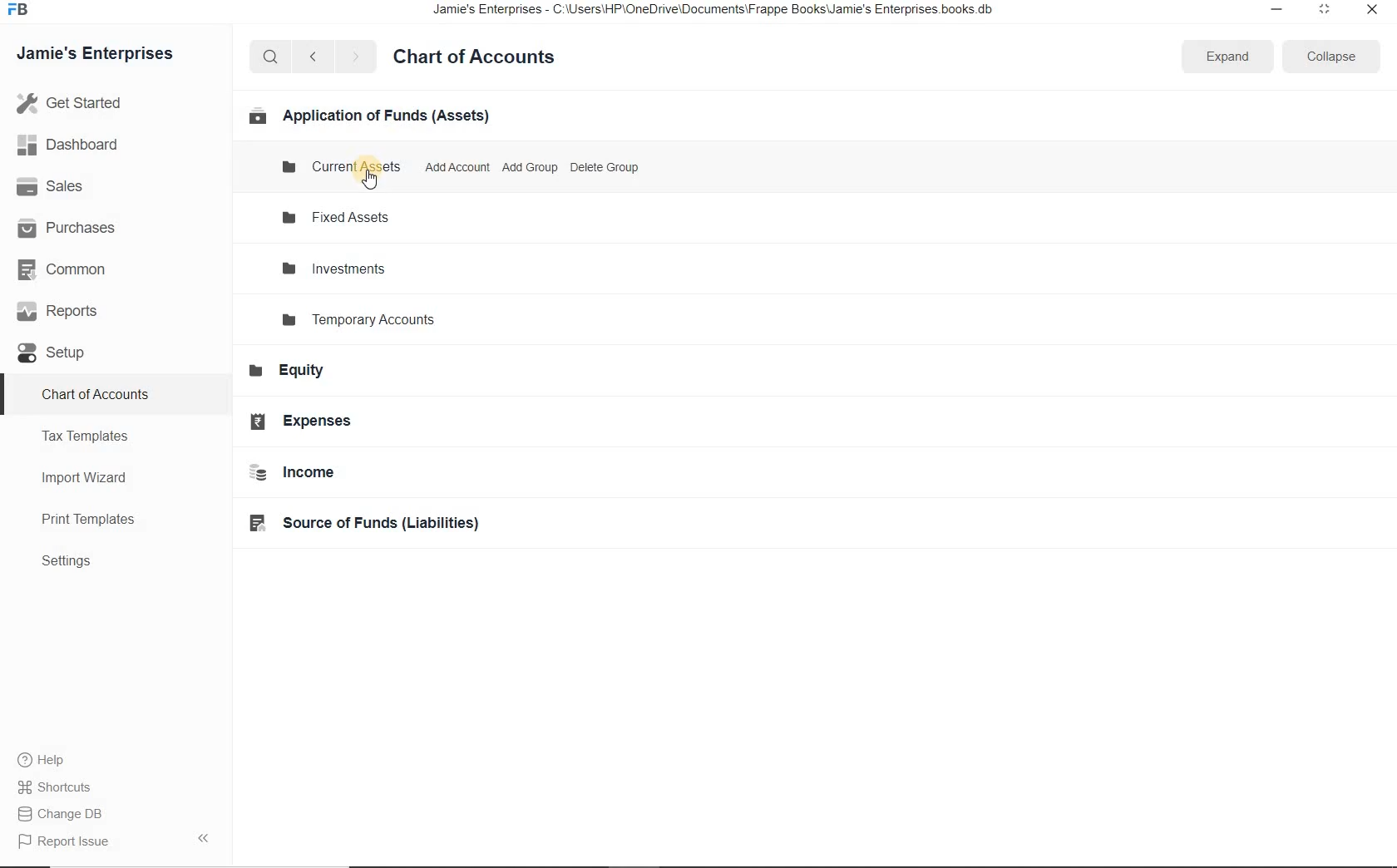 The width and height of the screenshot is (1397, 868). What do you see at coordinates (294, 373) in the screenshot?
I see `Equity` at bounding box center [294, 373].